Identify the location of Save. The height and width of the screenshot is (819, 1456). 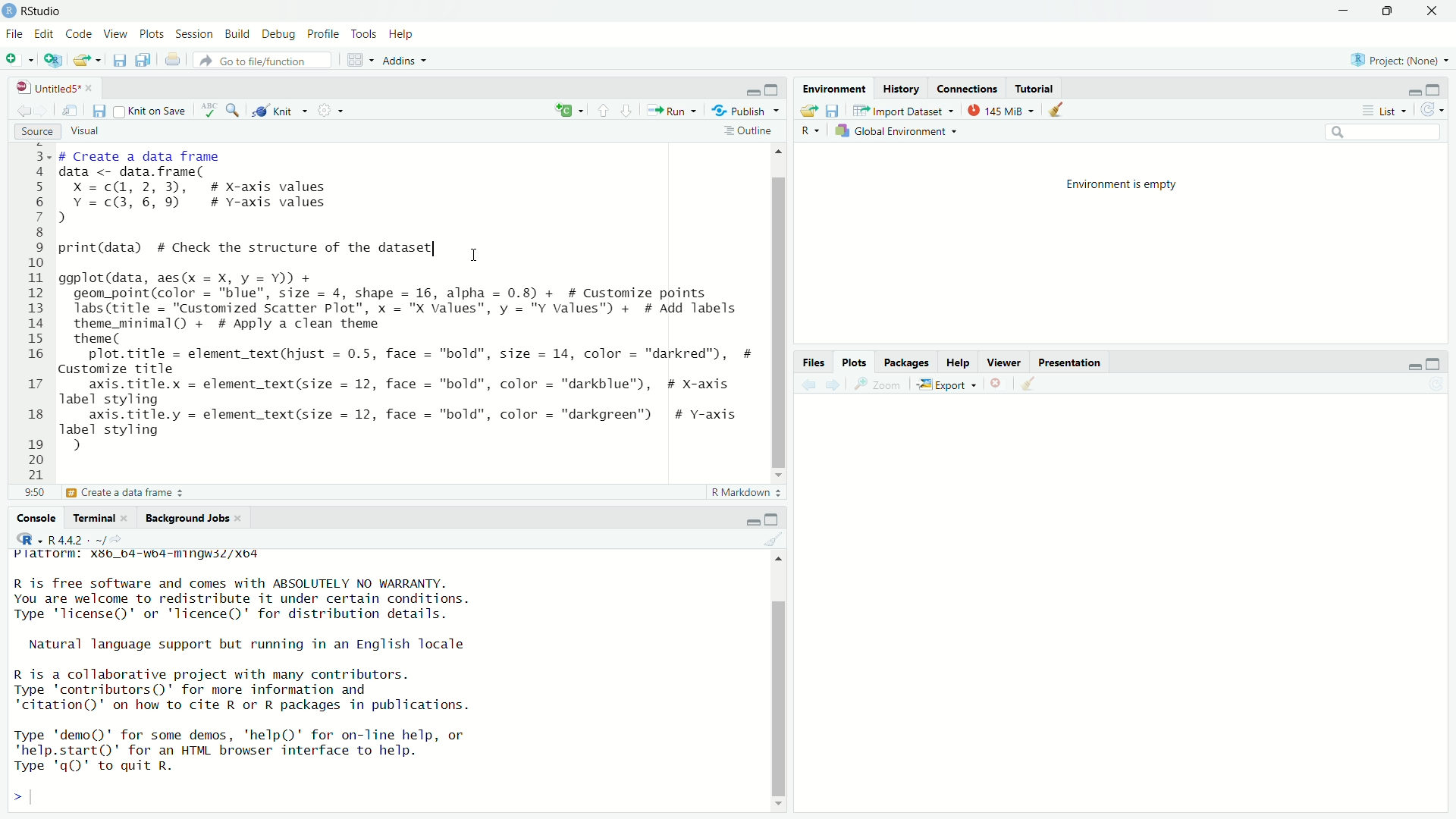
(99, 111).